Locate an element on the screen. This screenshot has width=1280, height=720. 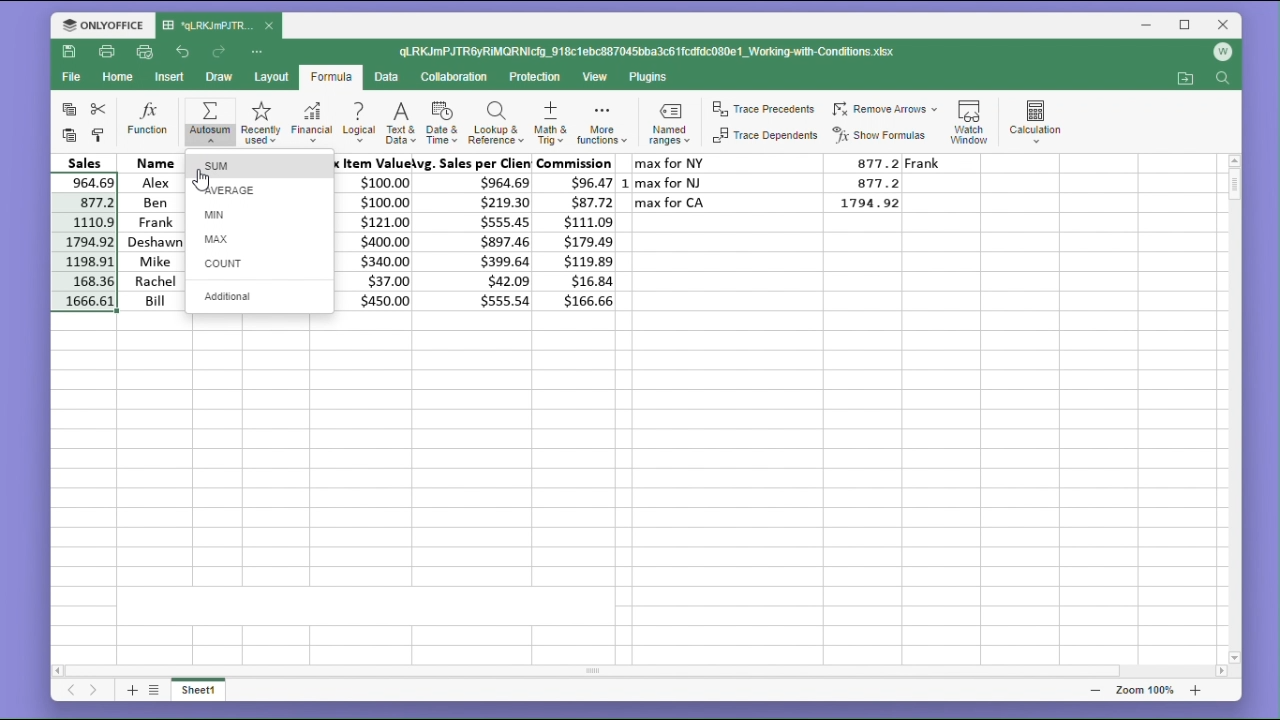
close is located at coordinates (270, 27).